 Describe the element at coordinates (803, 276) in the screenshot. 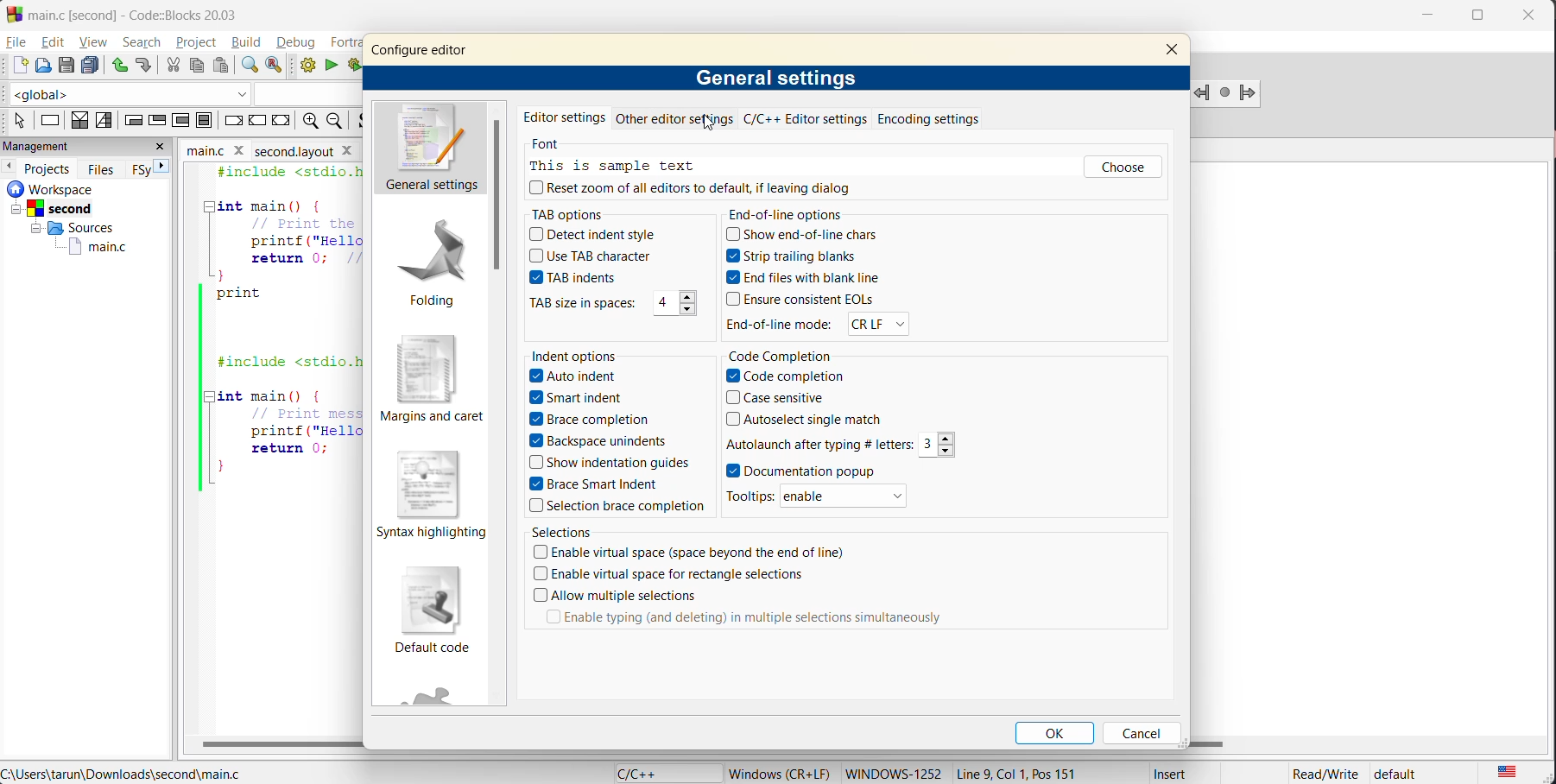

I see `End files with blank line` at that location.